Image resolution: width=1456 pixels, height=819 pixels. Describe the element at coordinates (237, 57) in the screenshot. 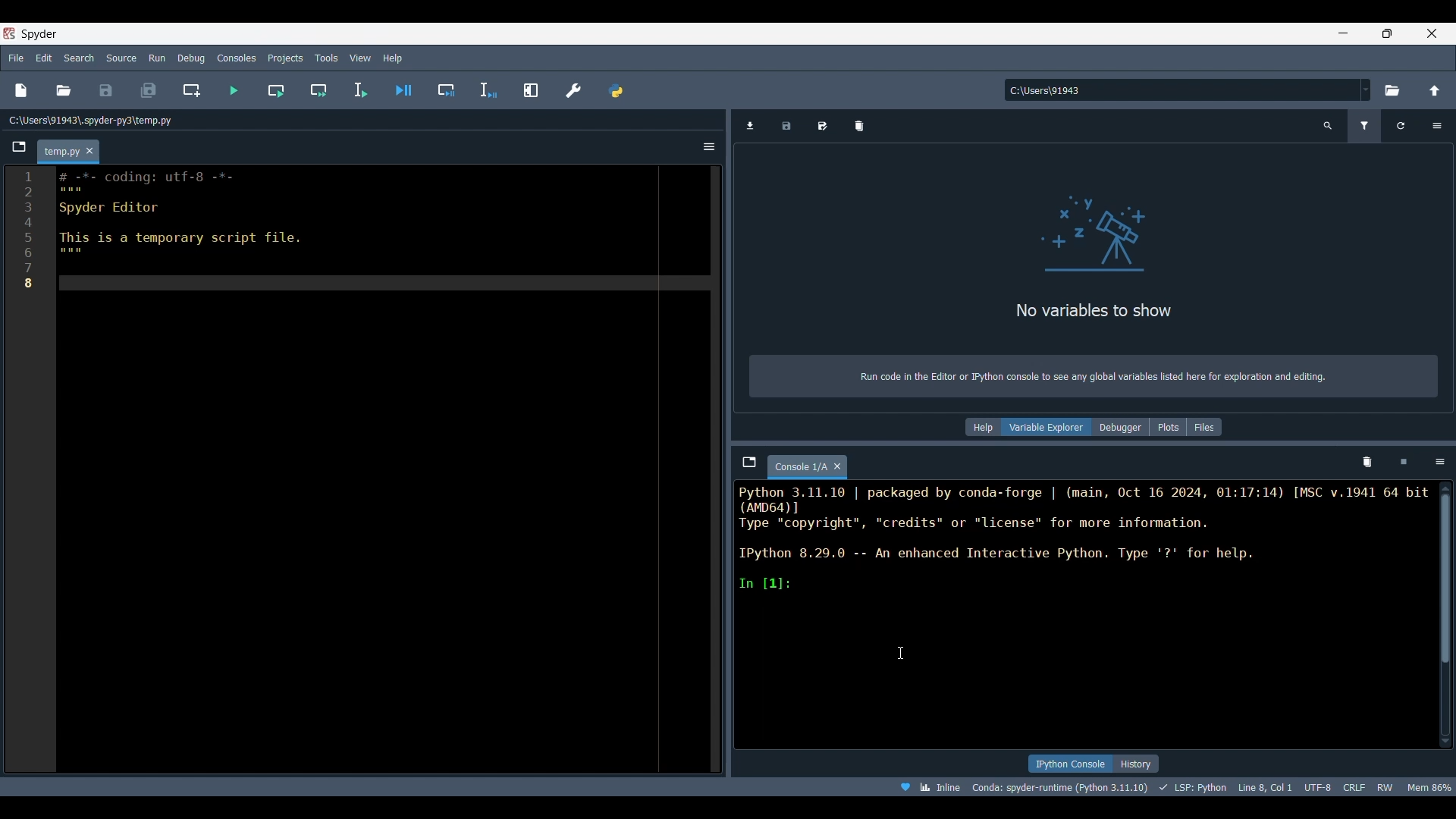

I see `Consoles menu` at that location.